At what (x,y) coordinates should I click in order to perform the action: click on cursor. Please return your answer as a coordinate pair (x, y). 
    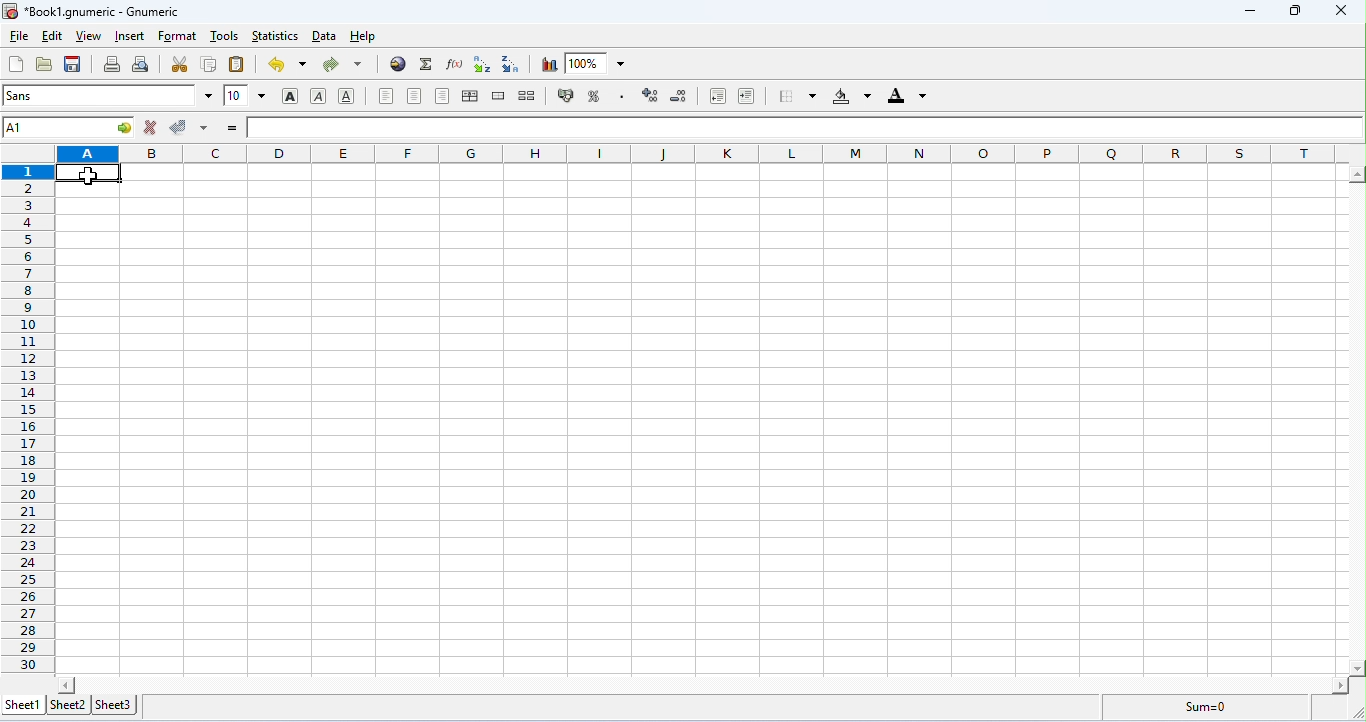
    Looking at the image, I should click on (89, 176).